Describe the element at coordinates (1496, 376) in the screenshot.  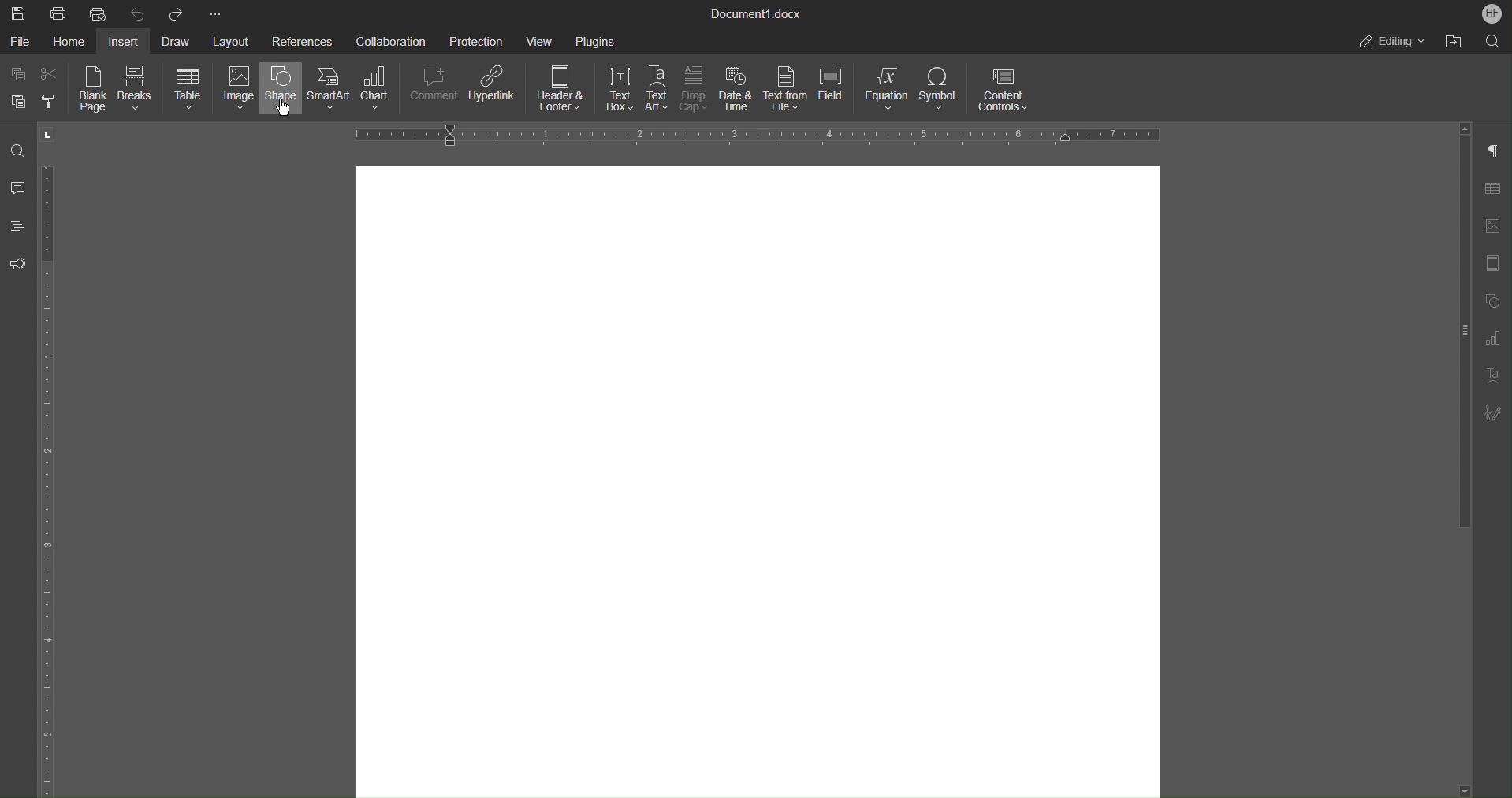
I see `Text Art` at that location.